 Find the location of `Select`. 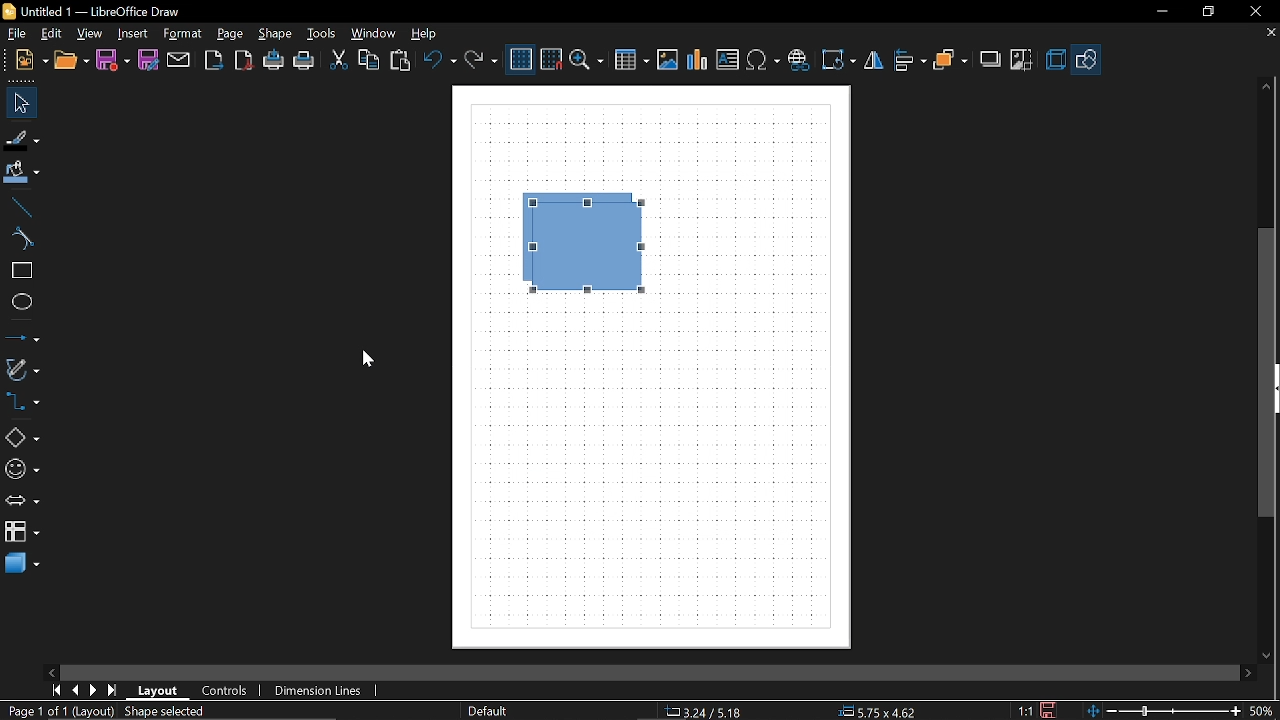

Select is located at coordinates (22, 103).